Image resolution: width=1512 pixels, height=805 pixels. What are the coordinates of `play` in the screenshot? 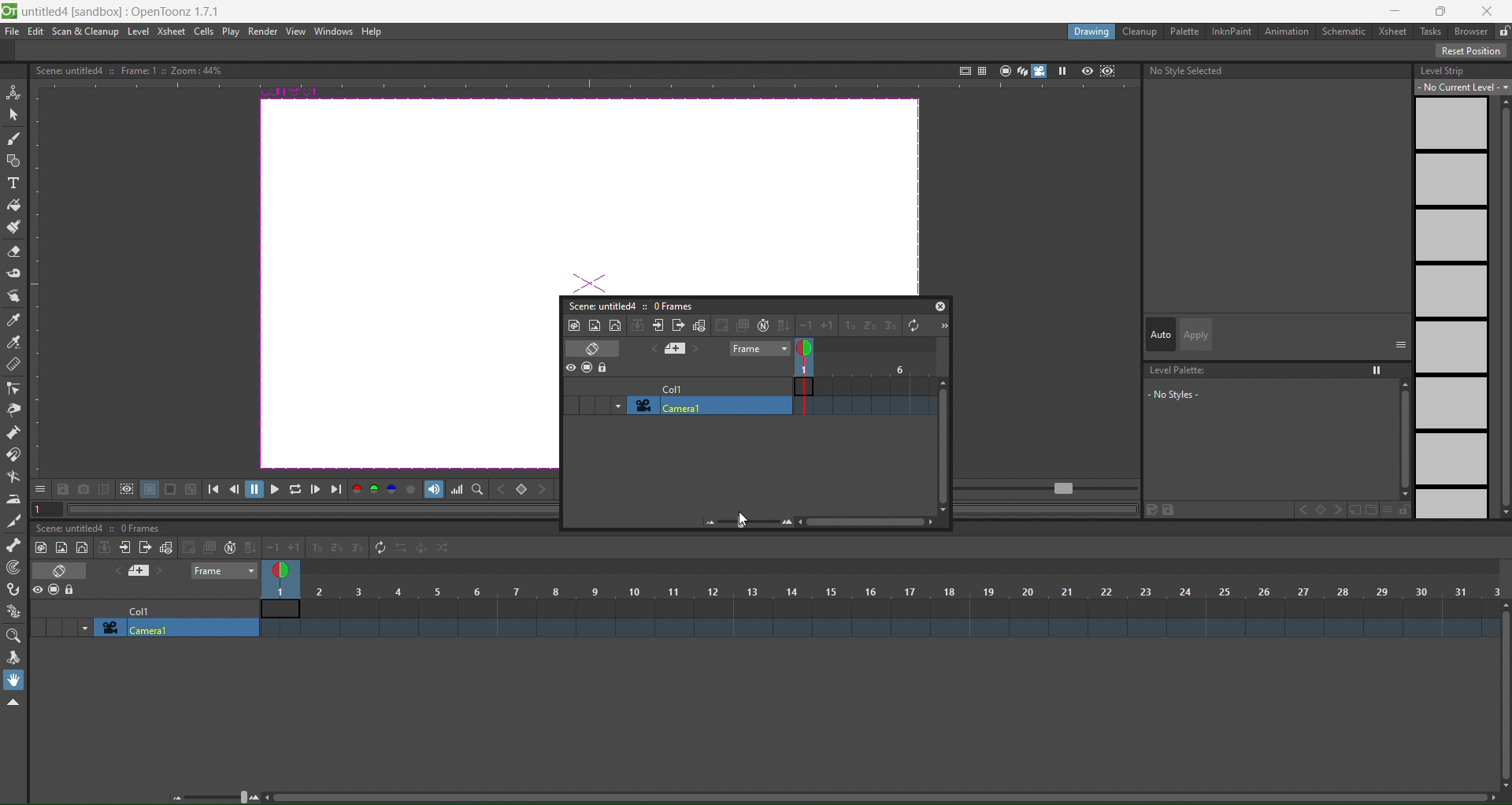 It's located at (231, 32).